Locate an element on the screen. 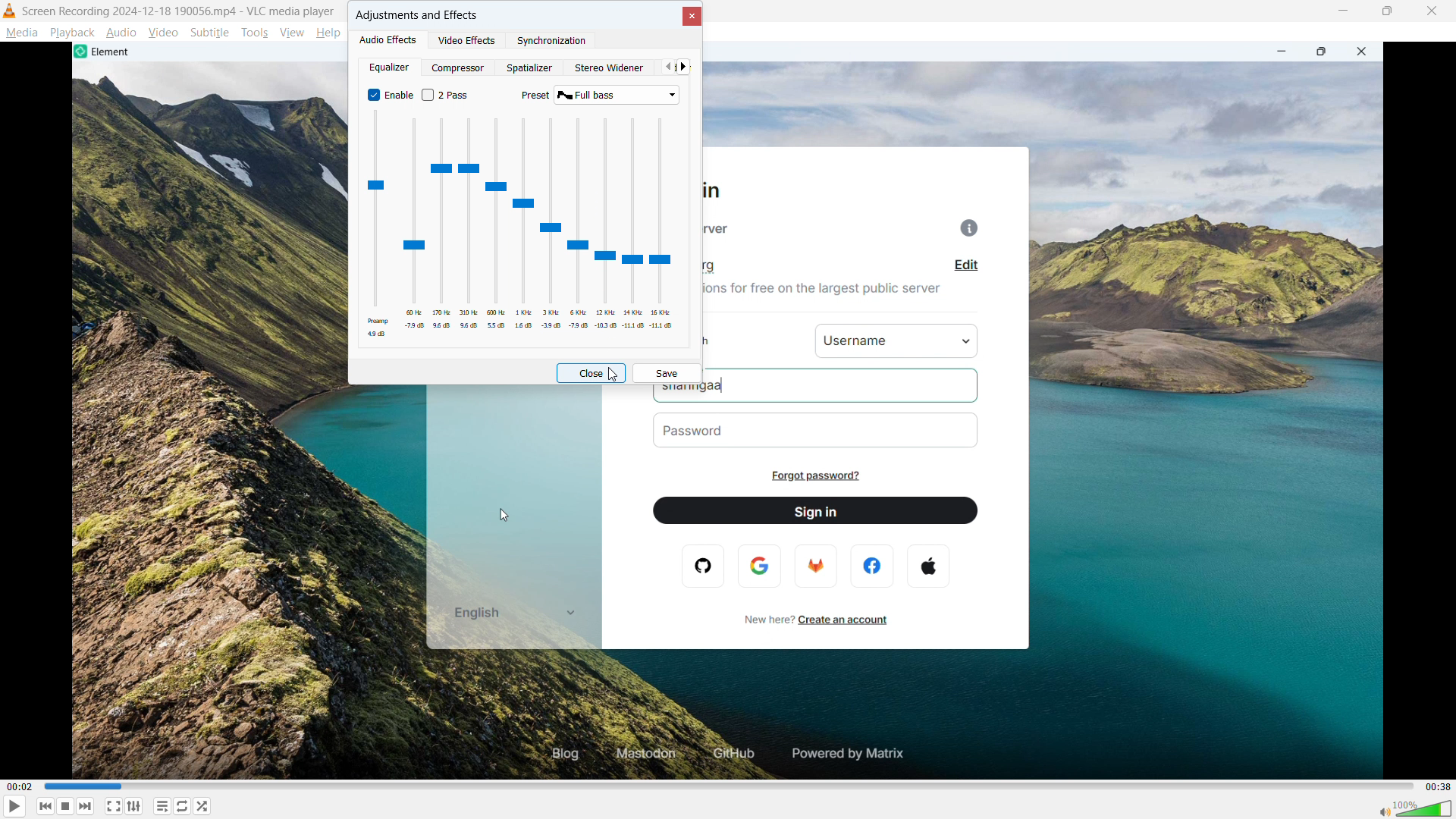  Tools  is located at coordinates (254, 33).